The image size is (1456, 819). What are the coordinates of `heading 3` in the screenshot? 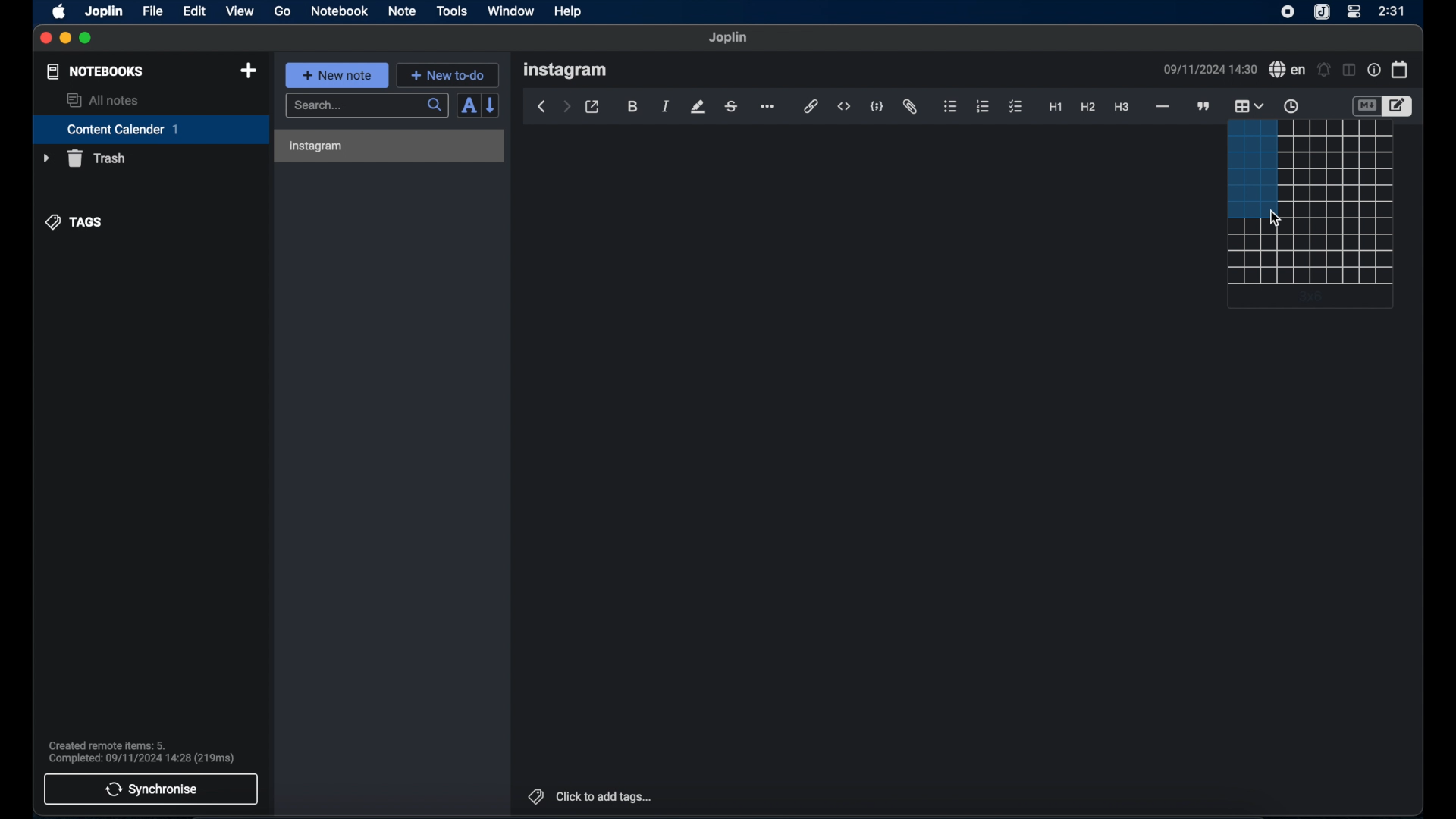 It's located at (1122, 108).